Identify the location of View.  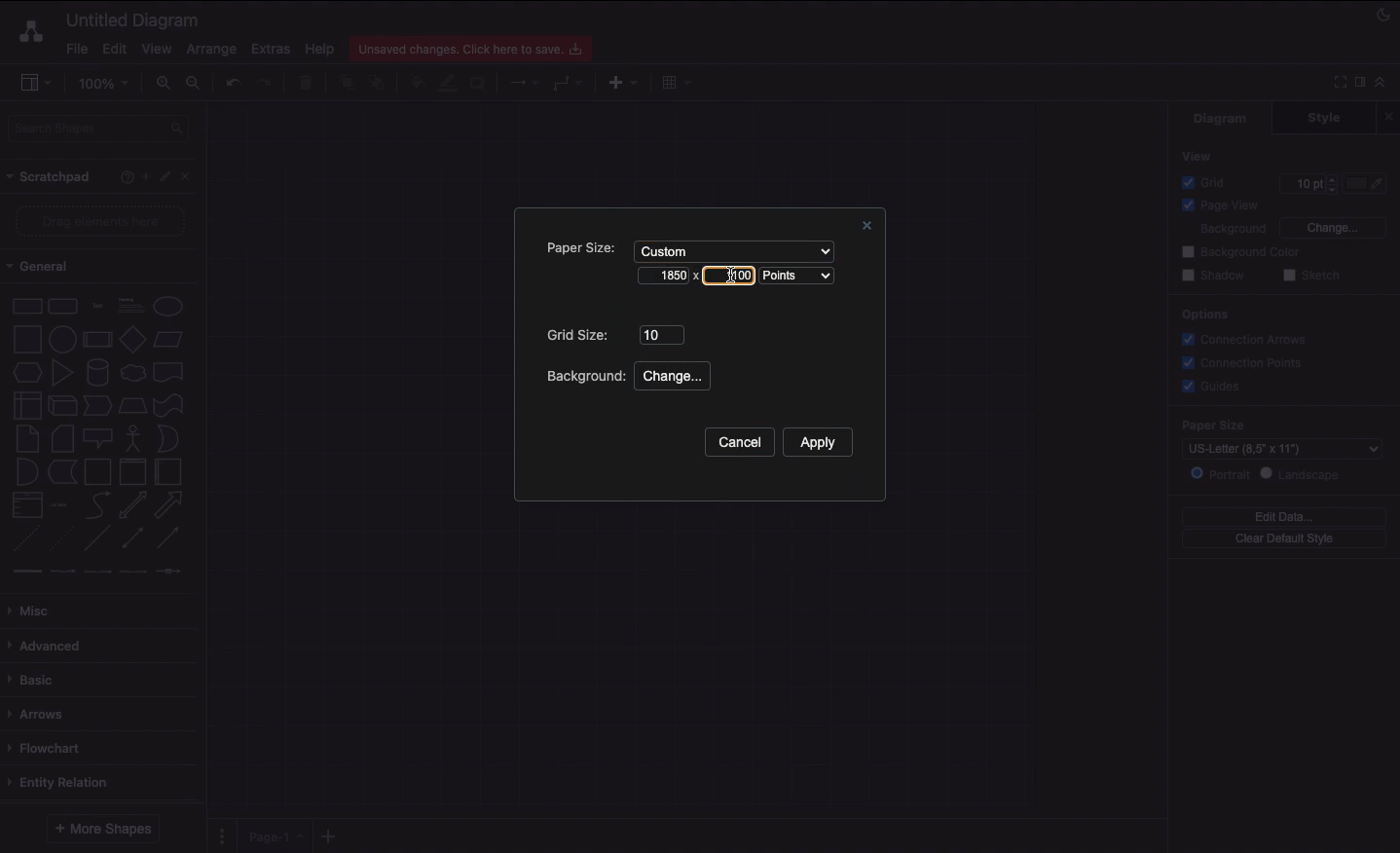
(157, 46).